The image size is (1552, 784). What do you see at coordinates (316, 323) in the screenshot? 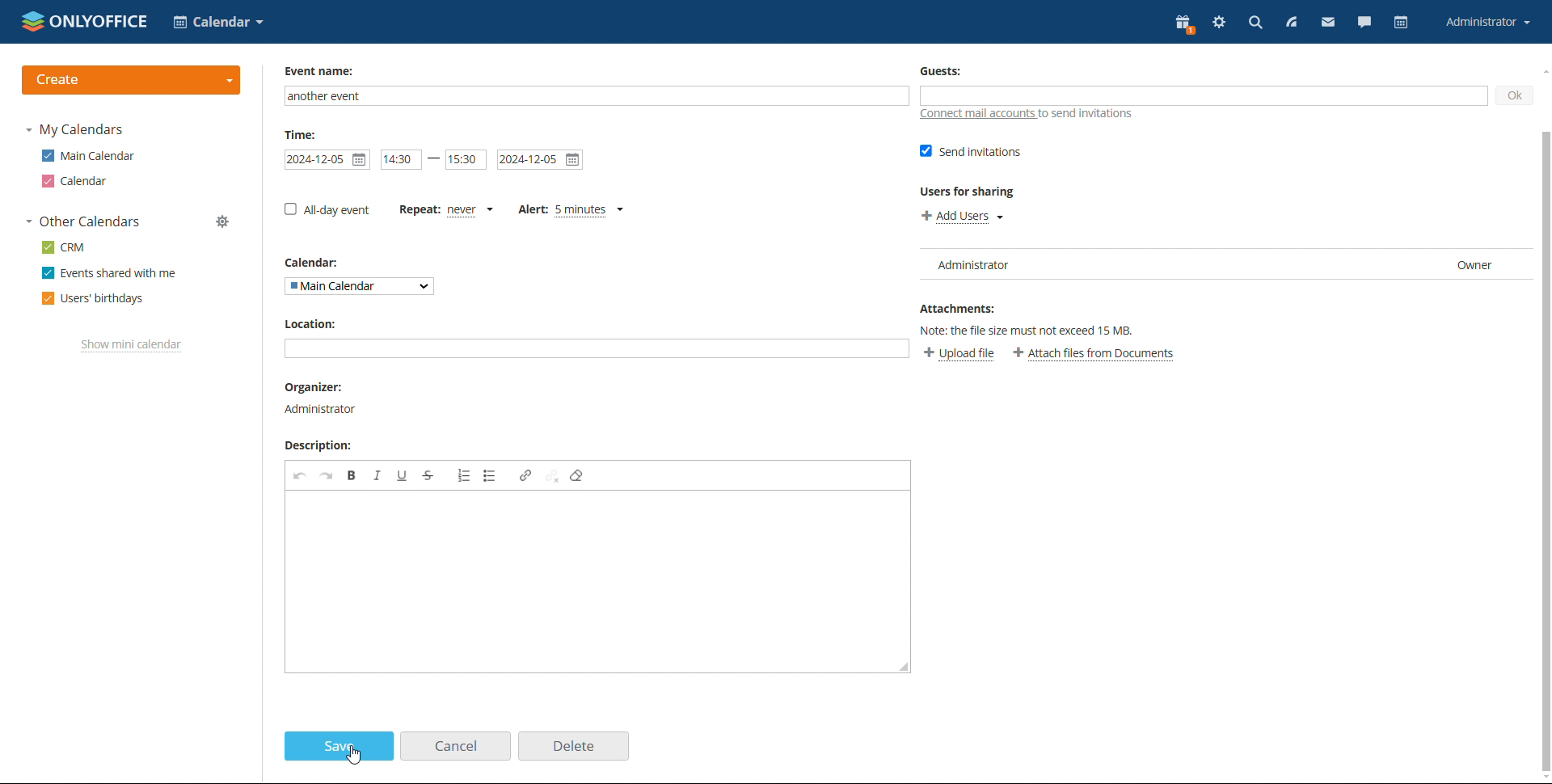
I see `Location:` at bounding box center [316, 323].